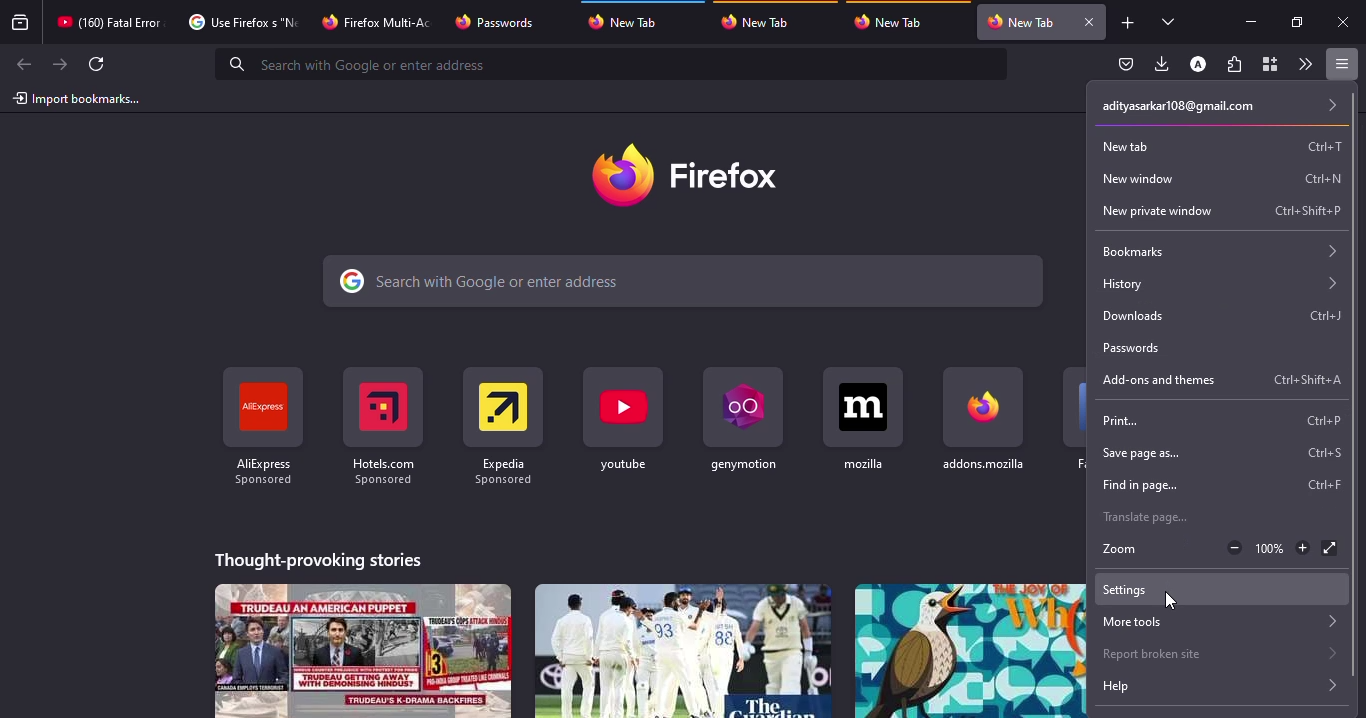 This screenshot has width=1366, height=718. What do you see at coordinates (1305, 380) in the screenshot?
I see `shortcut` at bounding box center [1305, 380].